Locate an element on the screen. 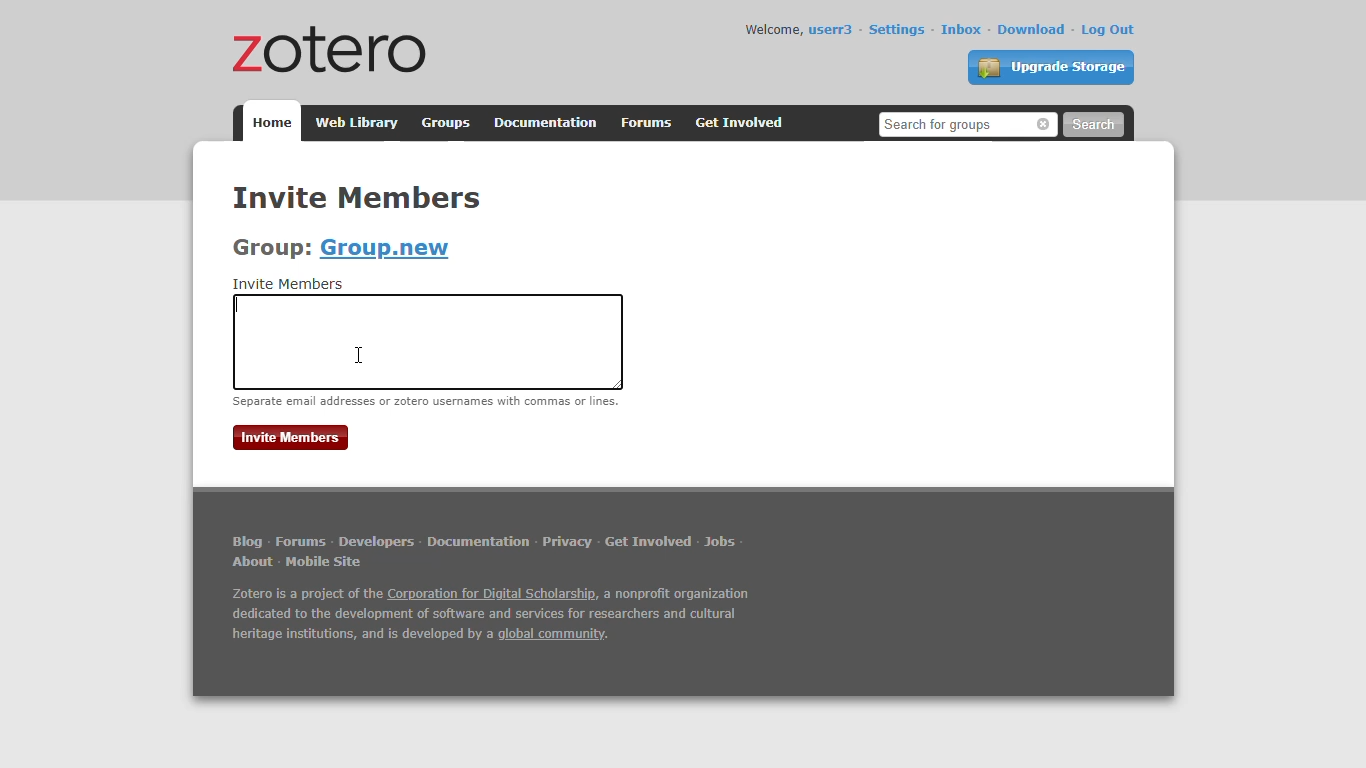  home is located at coordinates (271, 121).